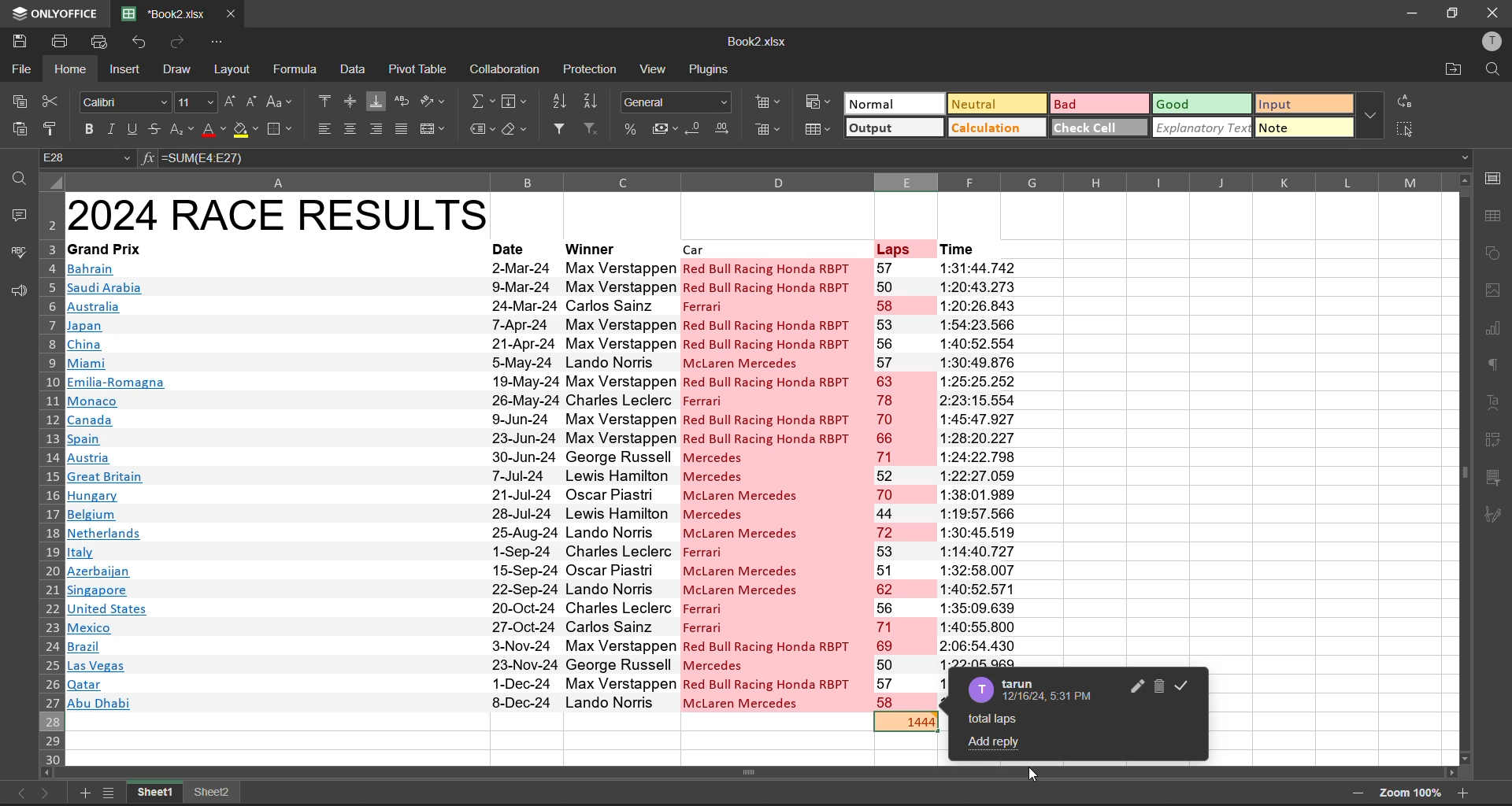 Image resolution: width=1512 pixels, height=806 pixels. I want to click on avatar, so click(981, 691).